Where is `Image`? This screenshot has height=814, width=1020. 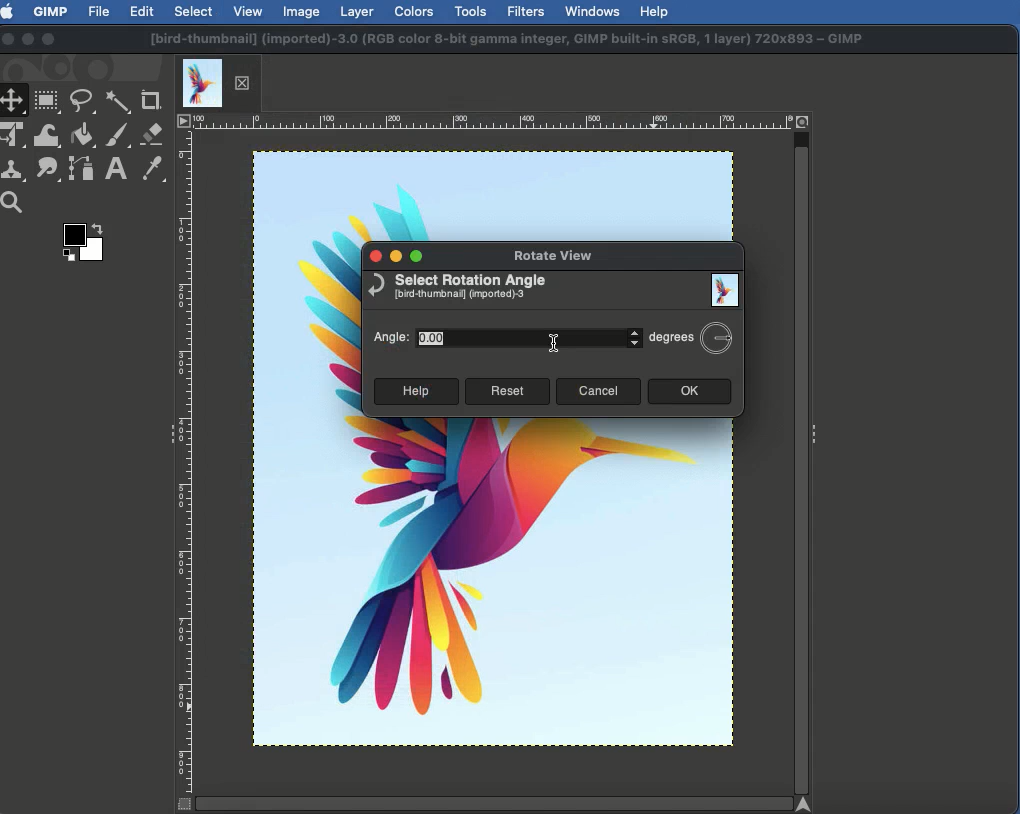 Image is located at coordinates (483, 588).